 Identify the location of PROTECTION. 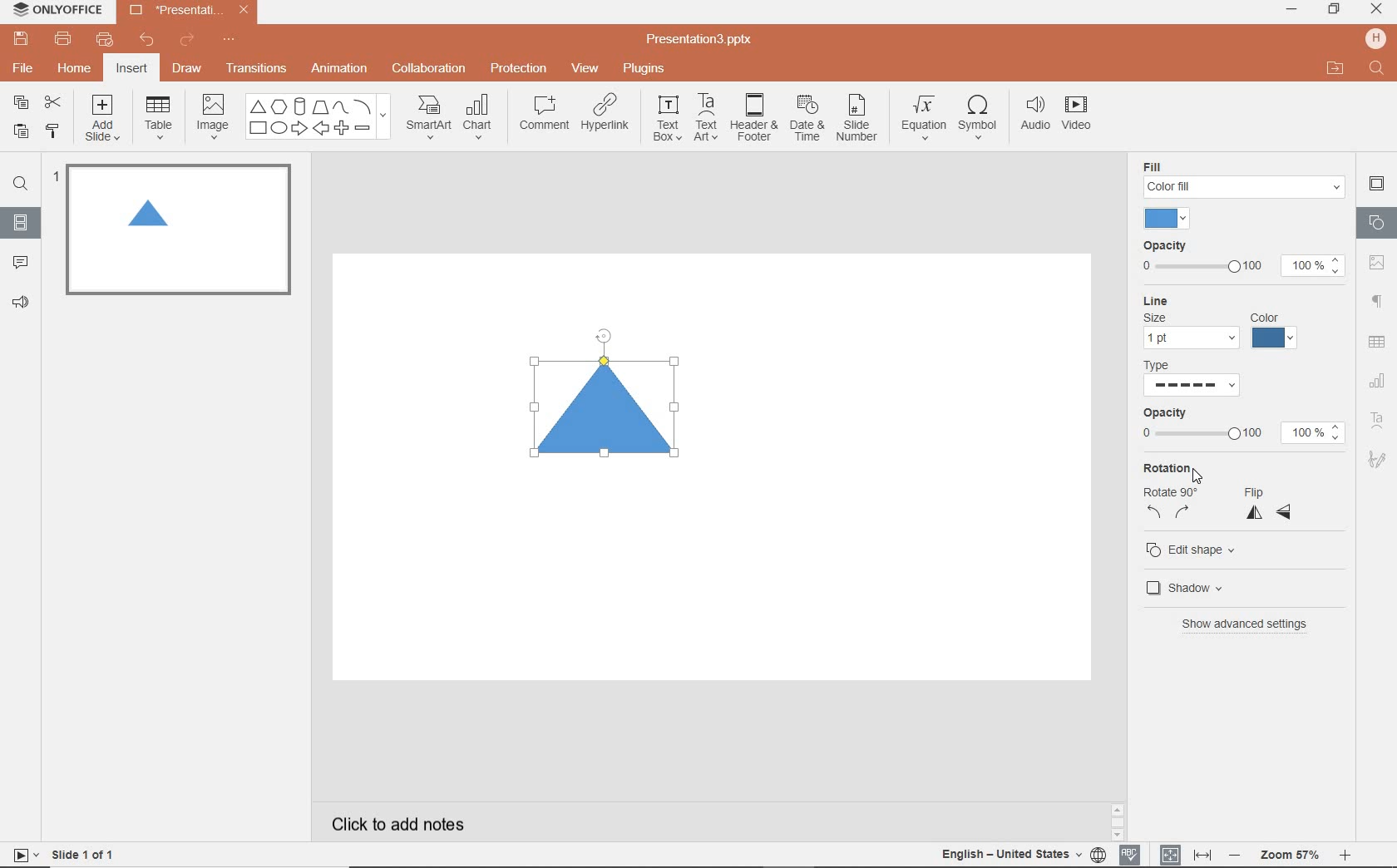
(520, 67).